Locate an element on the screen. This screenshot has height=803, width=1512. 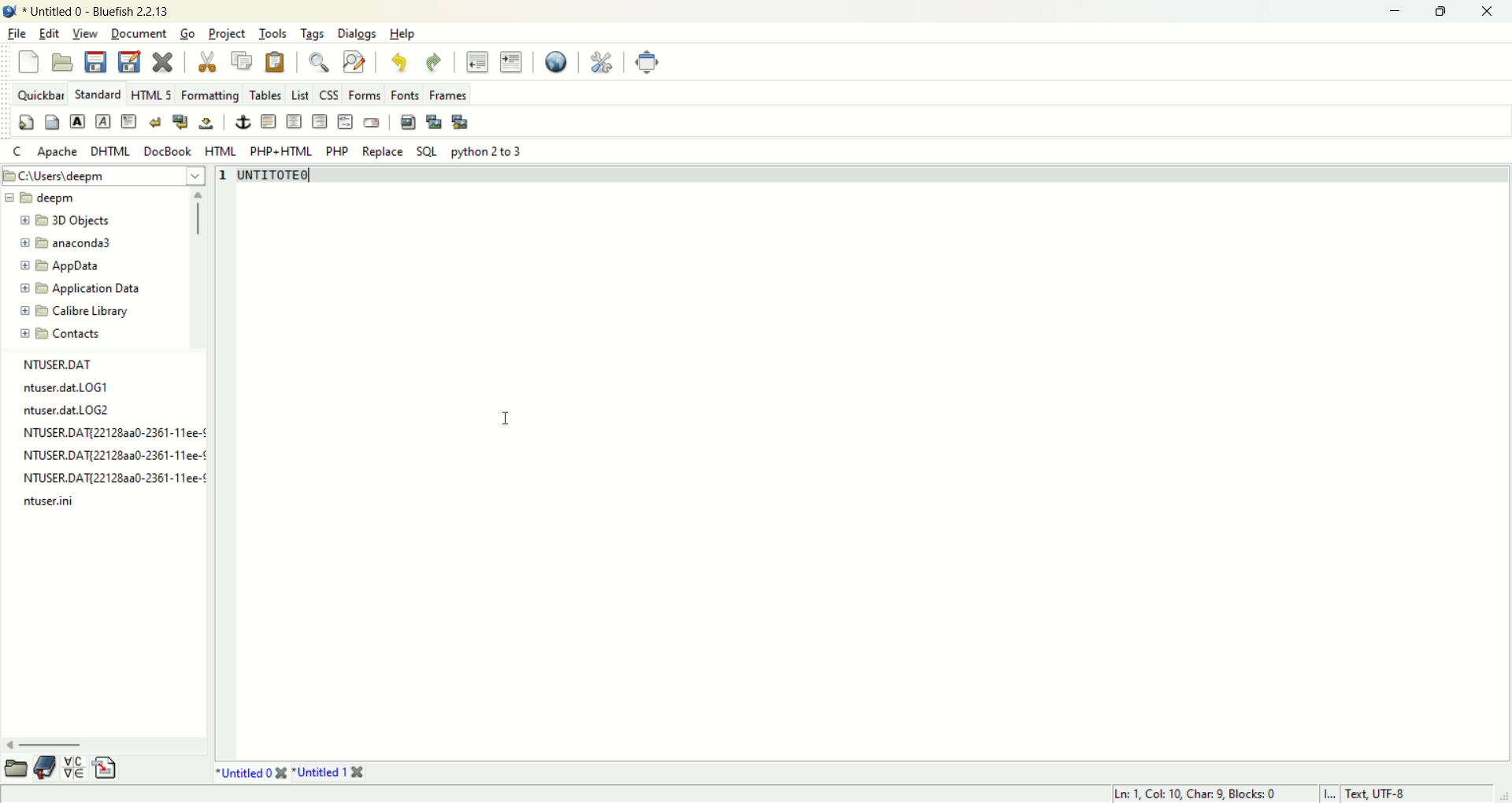
STANDARD is located at coordinates (98, 93).